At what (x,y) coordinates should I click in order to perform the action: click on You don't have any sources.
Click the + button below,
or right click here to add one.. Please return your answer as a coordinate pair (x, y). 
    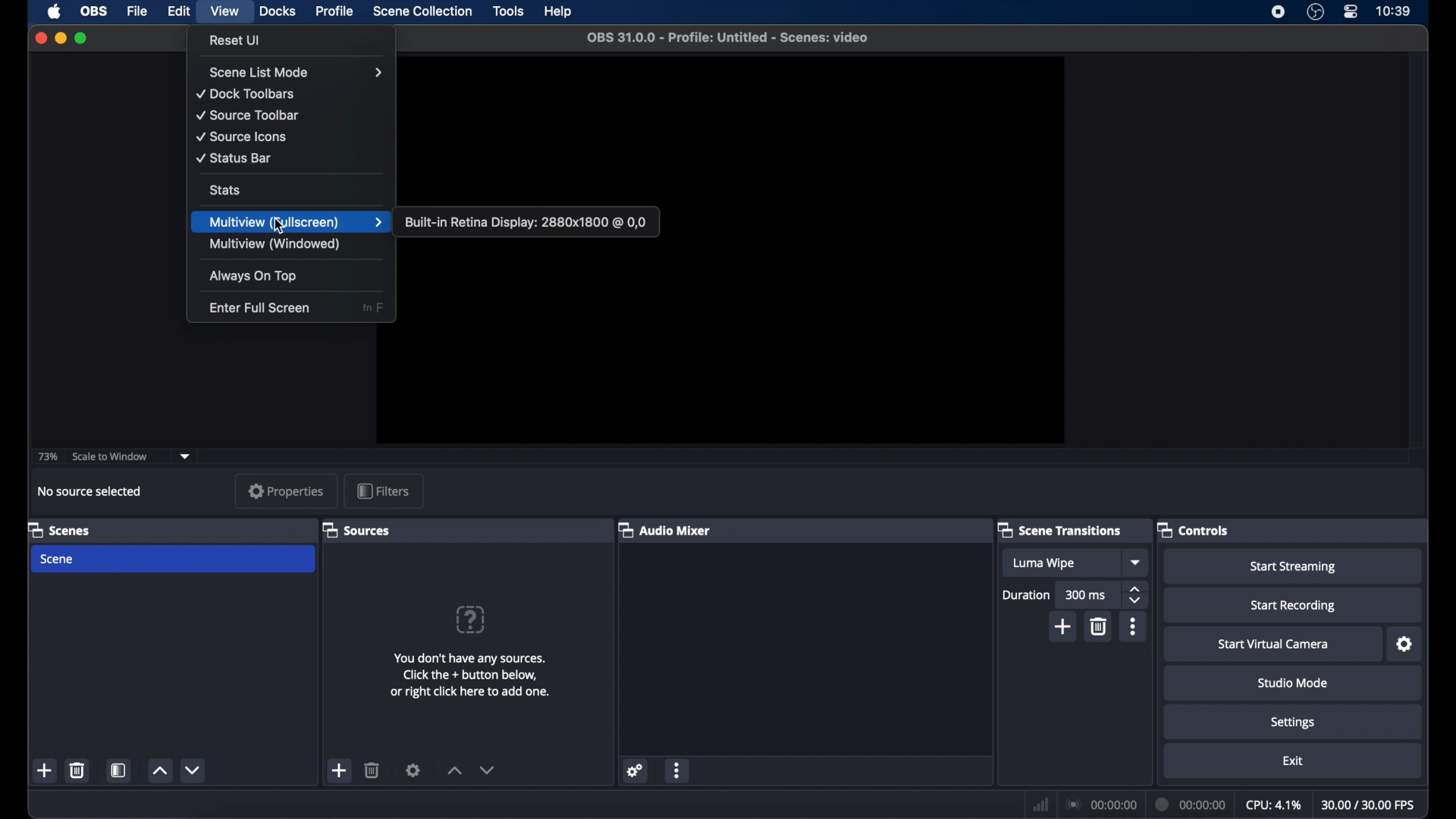
    Looking at the image, I should click on (475, 675).